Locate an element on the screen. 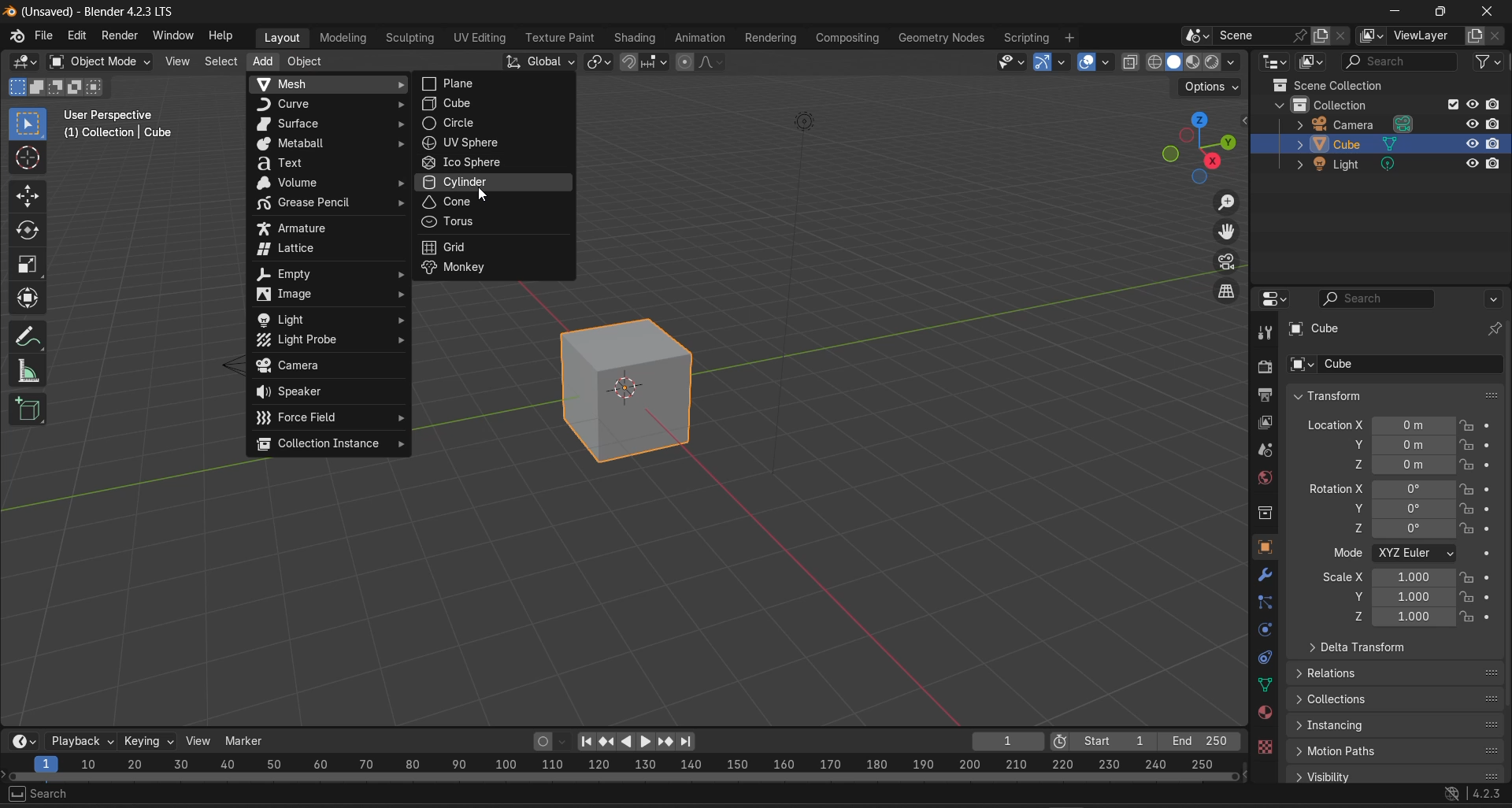  file is located at coordinates (45, 35).